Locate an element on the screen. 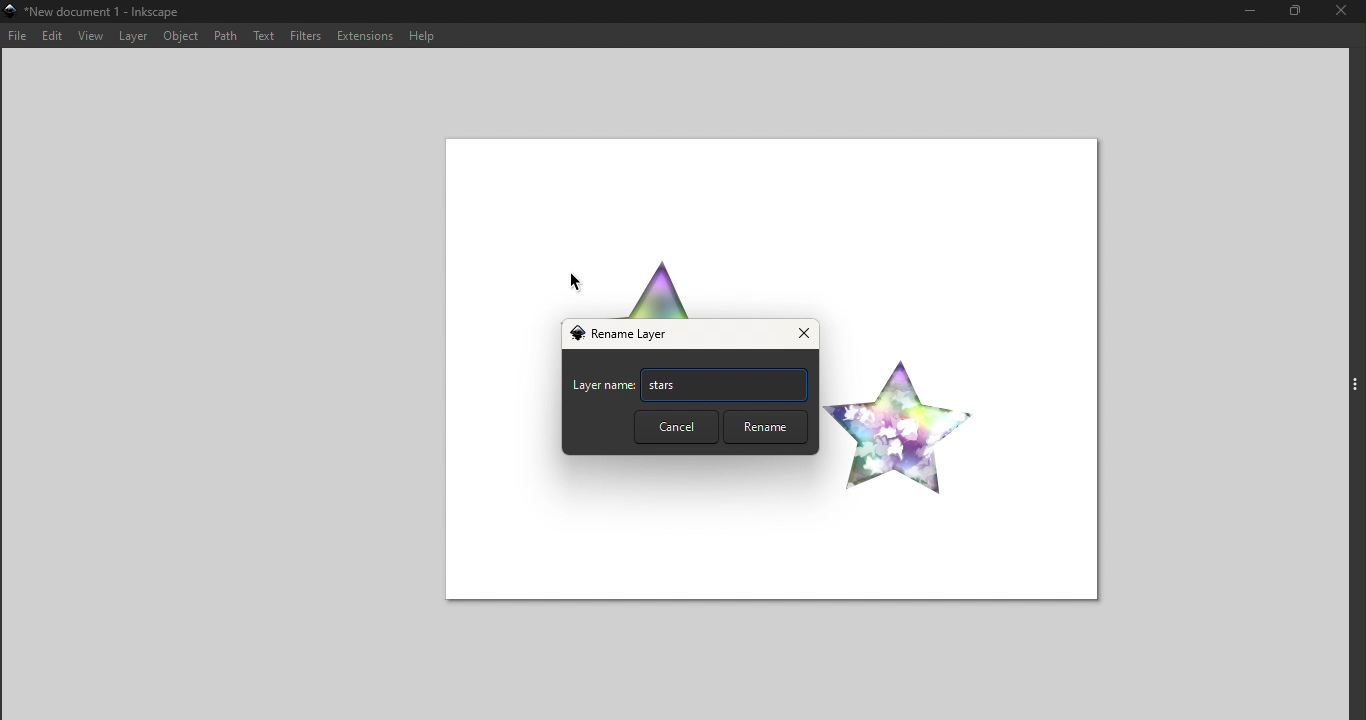  Layer name is located at coordinates (603, 388).